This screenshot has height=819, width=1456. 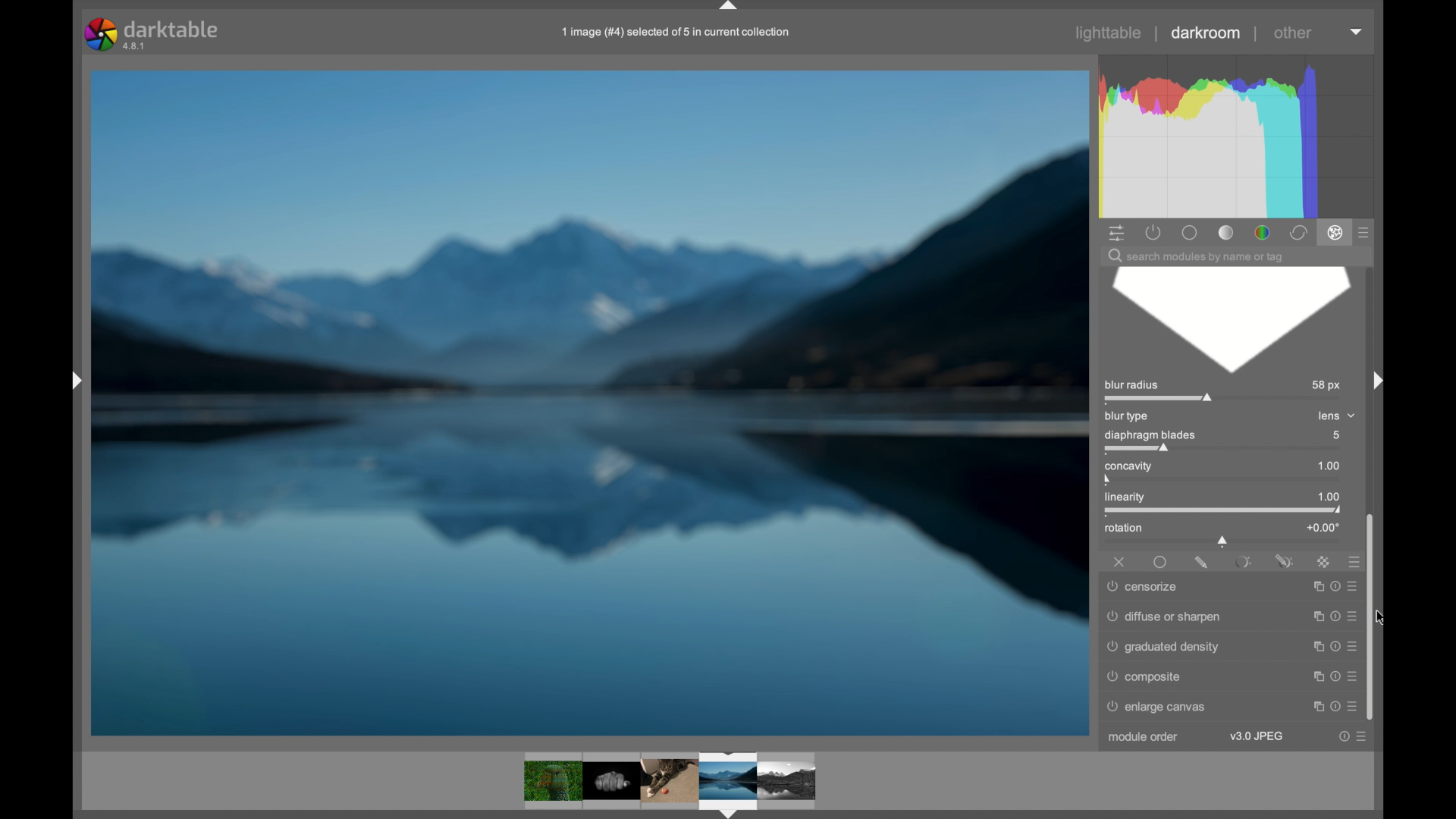 I want to click on drawnamsk, so click(x=1201, y=562).